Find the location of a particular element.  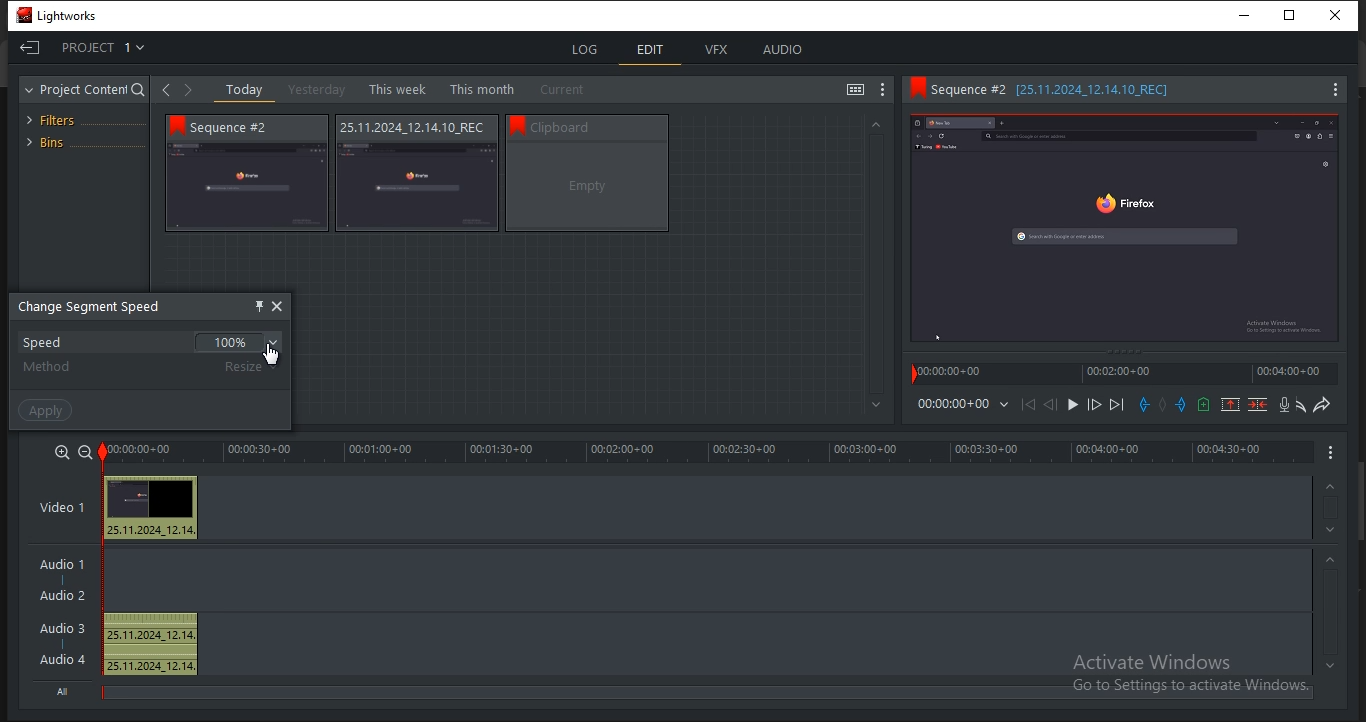

today is located at coordinates (245, 90).